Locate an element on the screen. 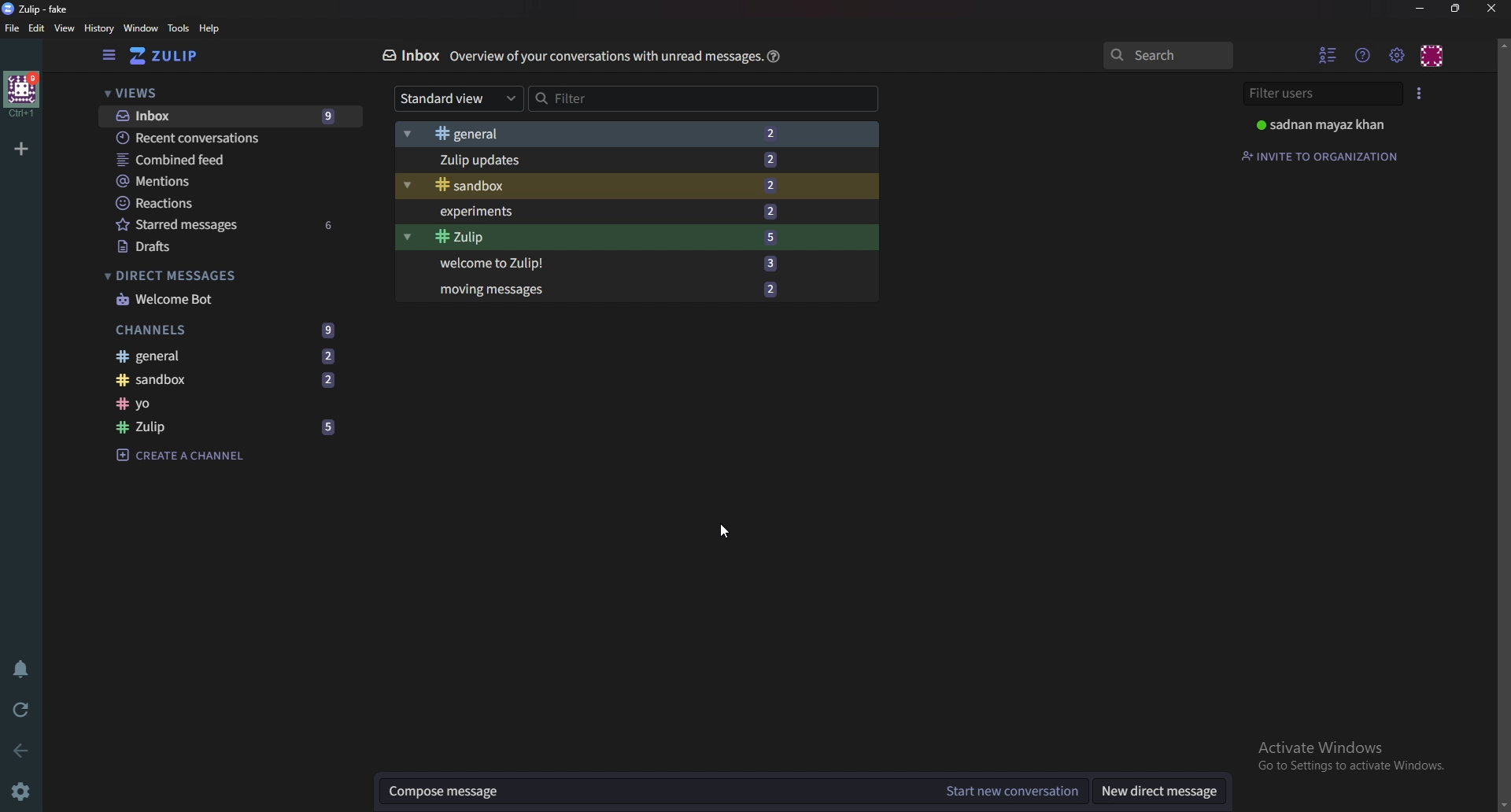  home is located at coordinates (24, 94).